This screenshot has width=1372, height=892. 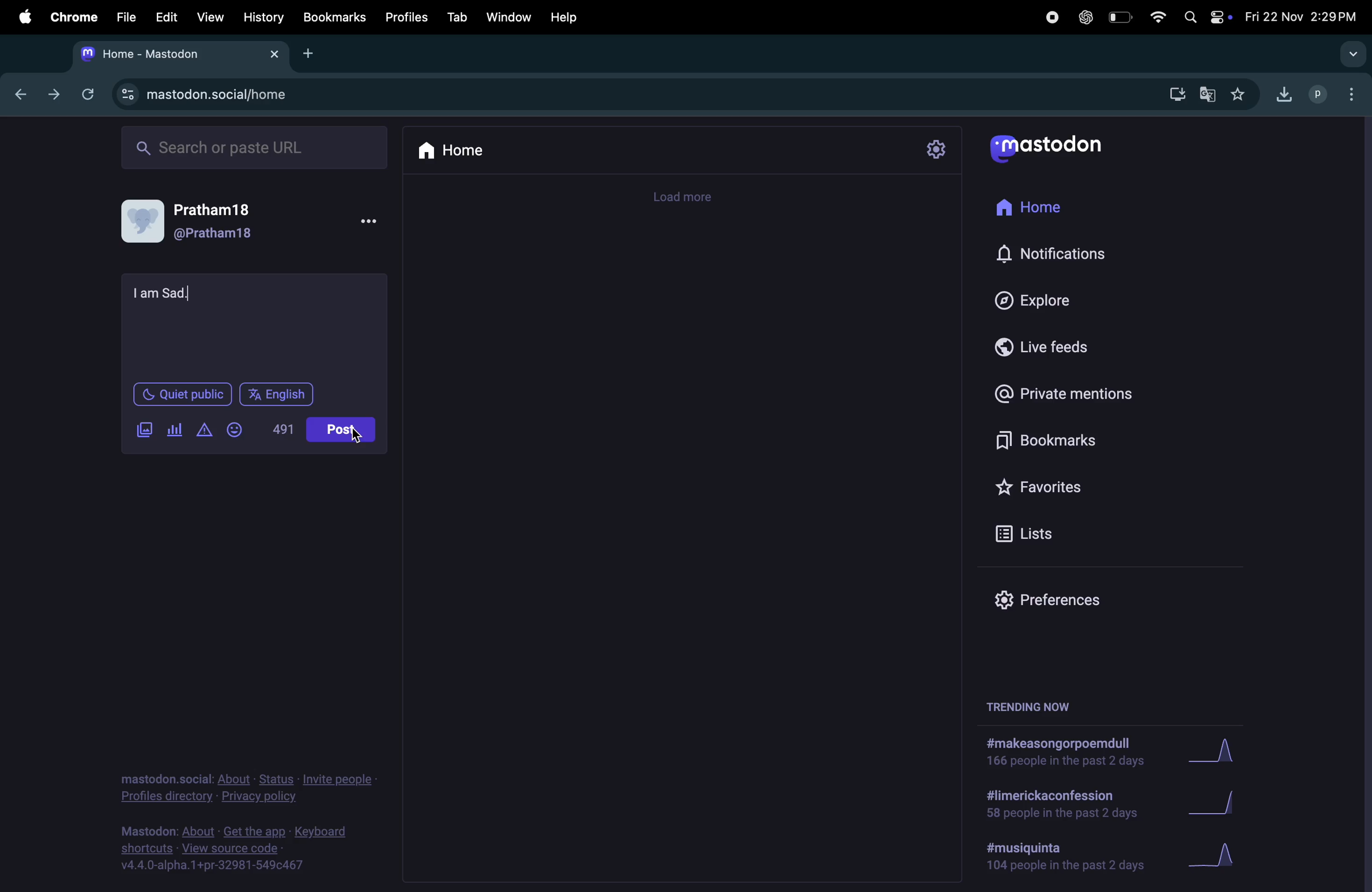 What do you see at coordinates (202, 429) in the screenshot?
I see `add warning` at bounding box center [202, 429].